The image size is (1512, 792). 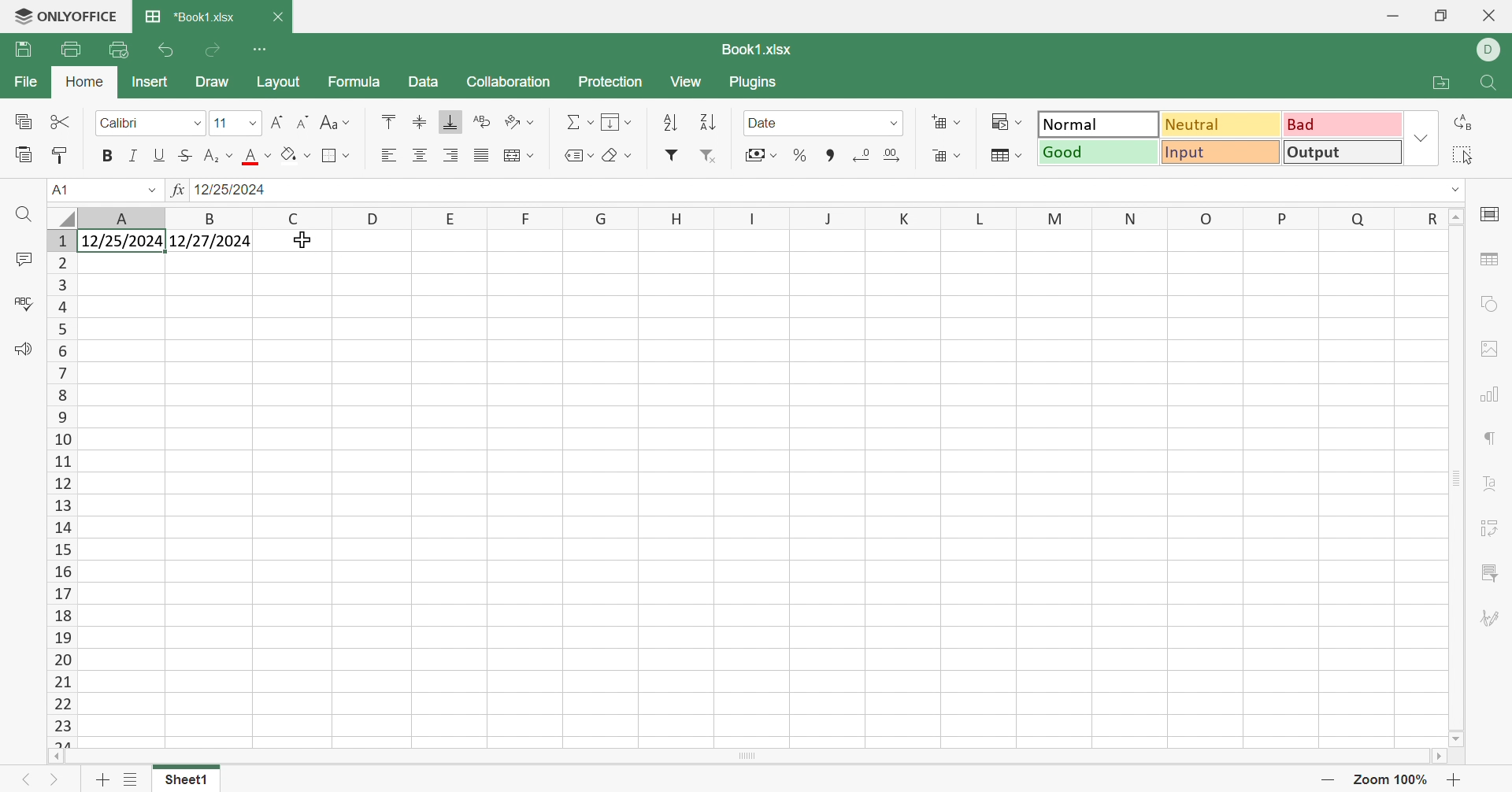 What do you see at coordinates (710, 156) in the screenshot?
I see `Remove filter` at bounding box center [710, 156].